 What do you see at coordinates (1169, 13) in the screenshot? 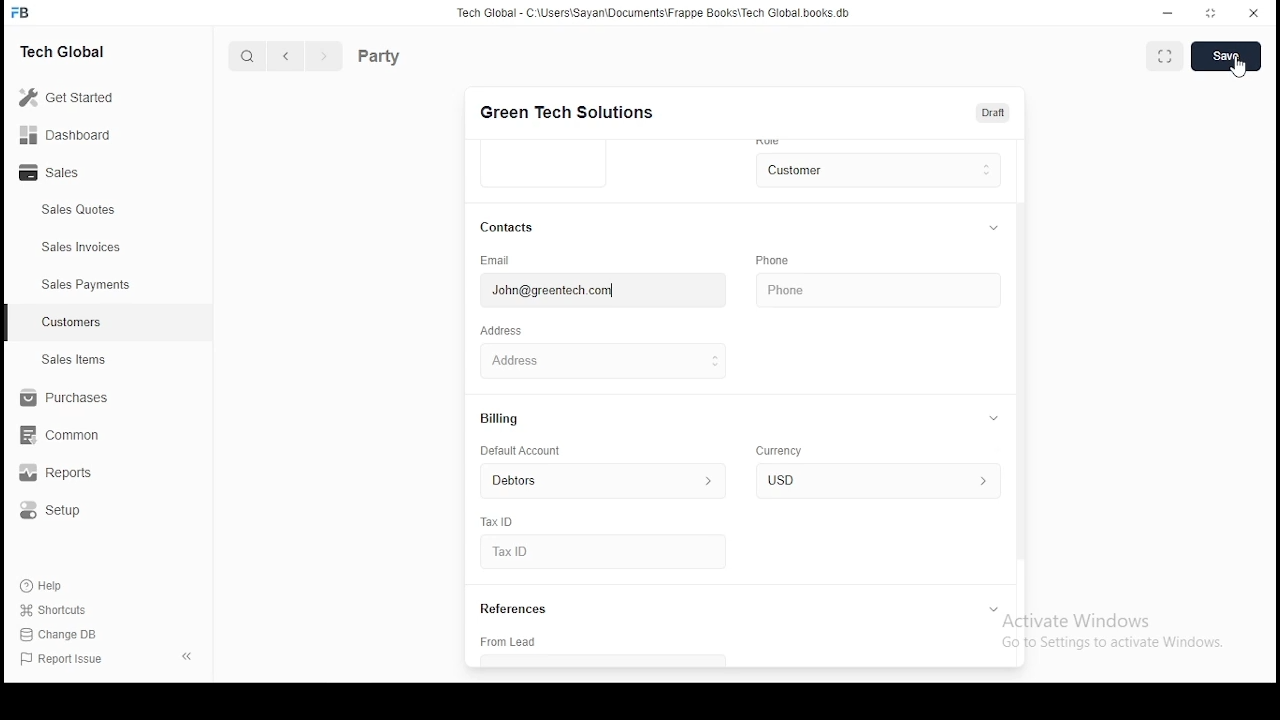
I see `minimize` at bounding box center [1169, 13].